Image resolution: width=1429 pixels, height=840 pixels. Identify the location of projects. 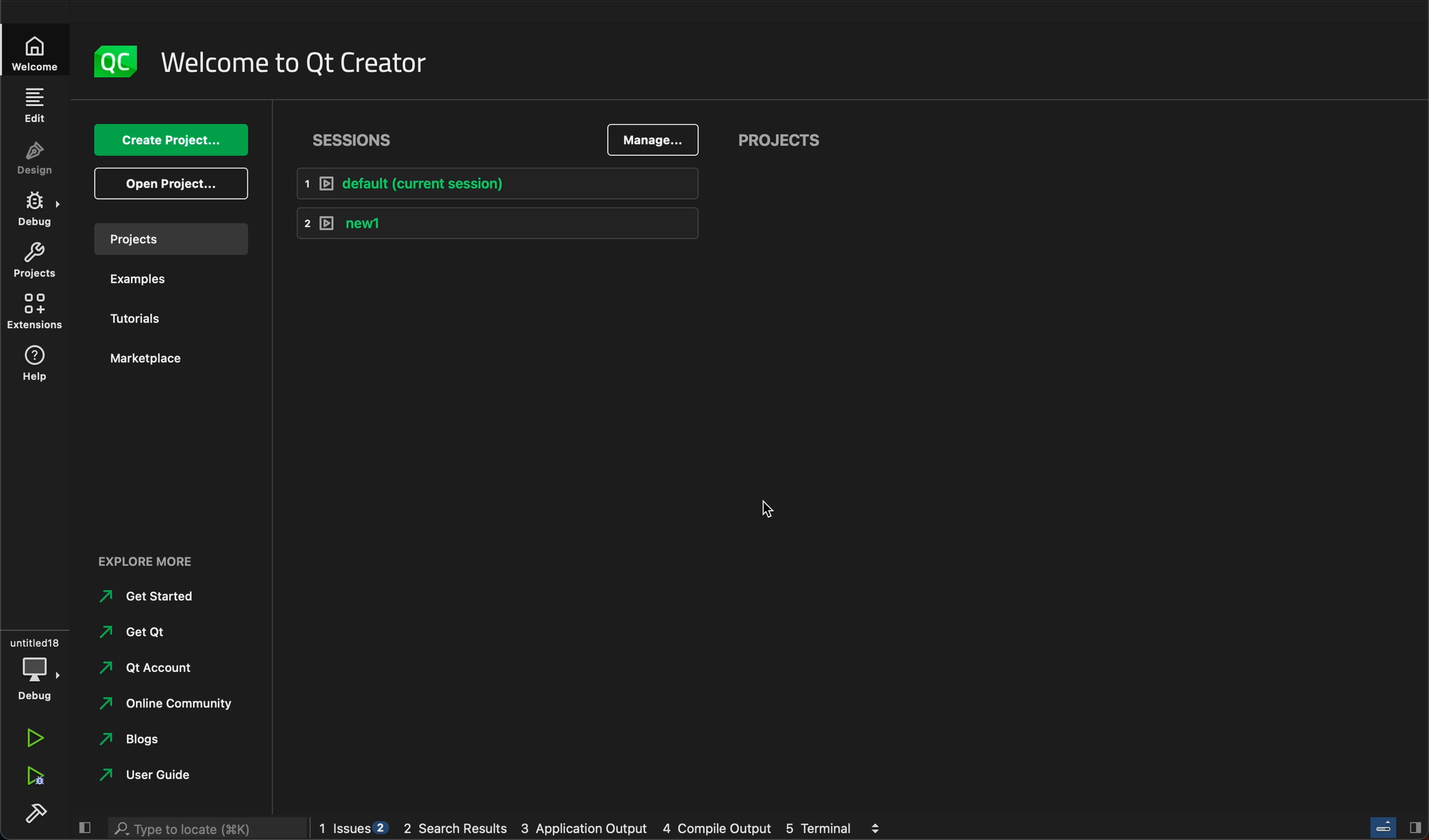
(32, 260).